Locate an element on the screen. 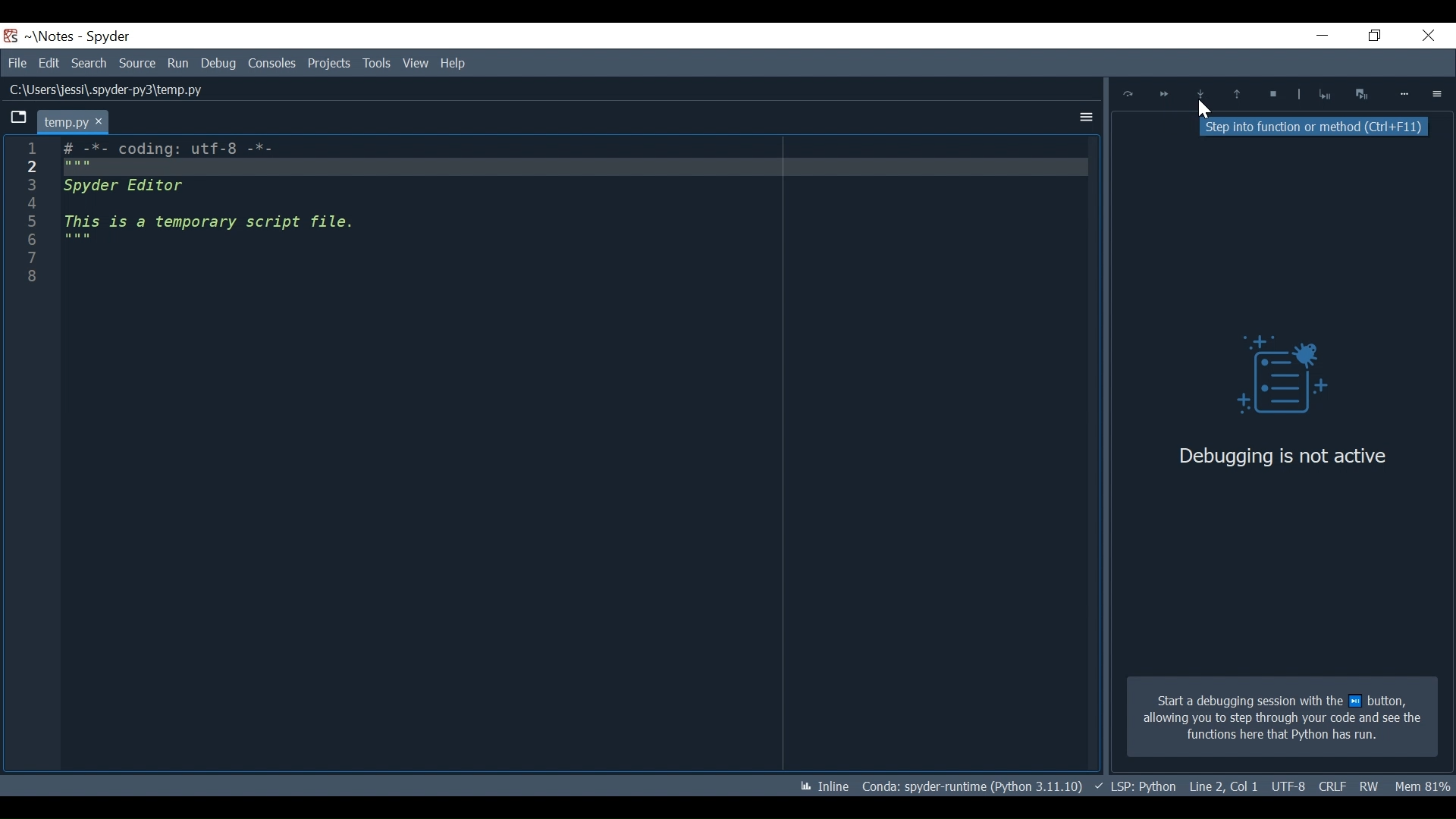 This screenshot has height=819, width=1456. Continue ExecutionUntil next breakpoint is located at coordinates (1163, 96).